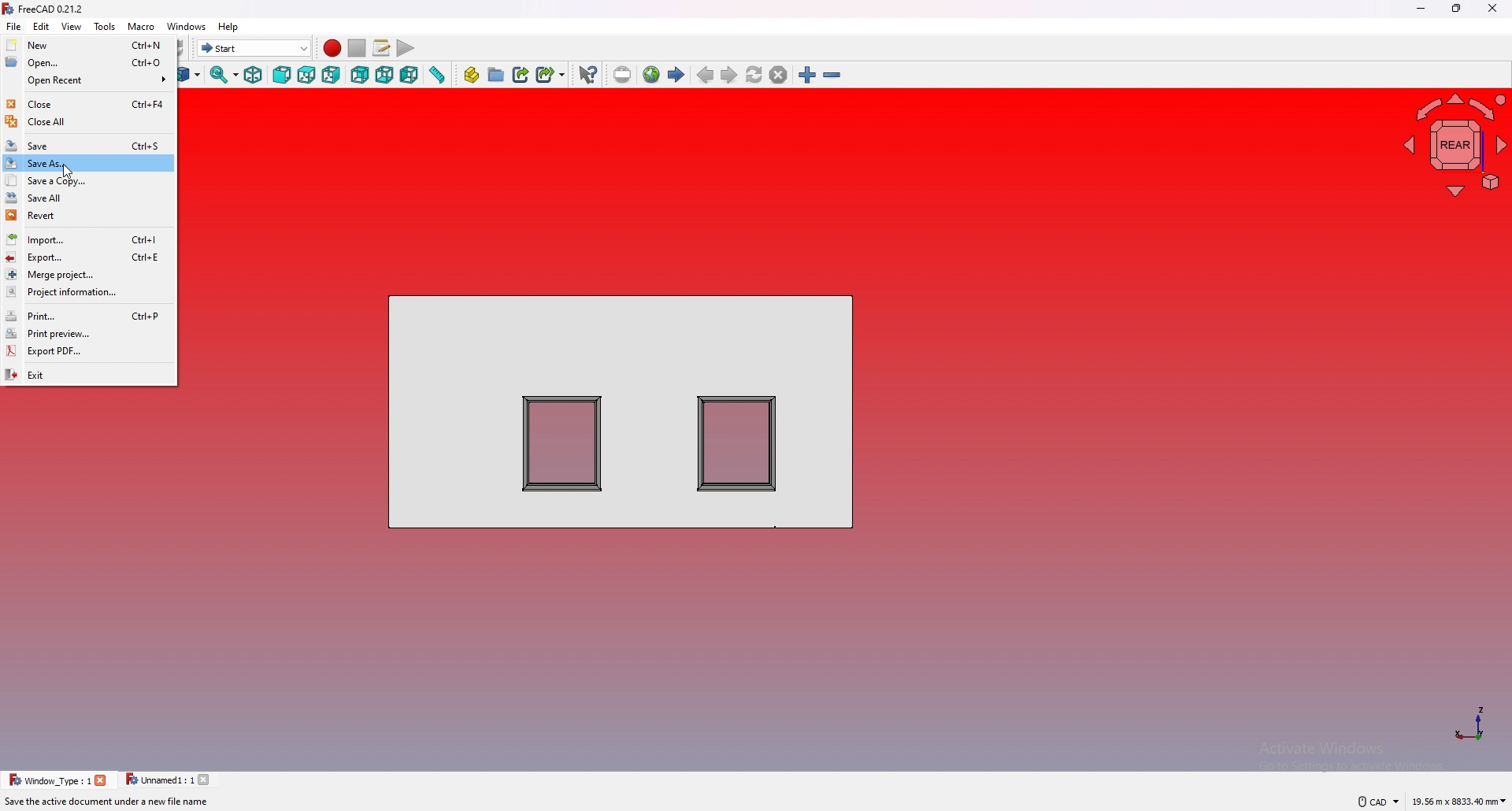 The width and height of the screenshot is (1512, 811). What do you see at coordinates (622, 409) in the screenshot?
I see `Shape` at bounding box center [622, 409].